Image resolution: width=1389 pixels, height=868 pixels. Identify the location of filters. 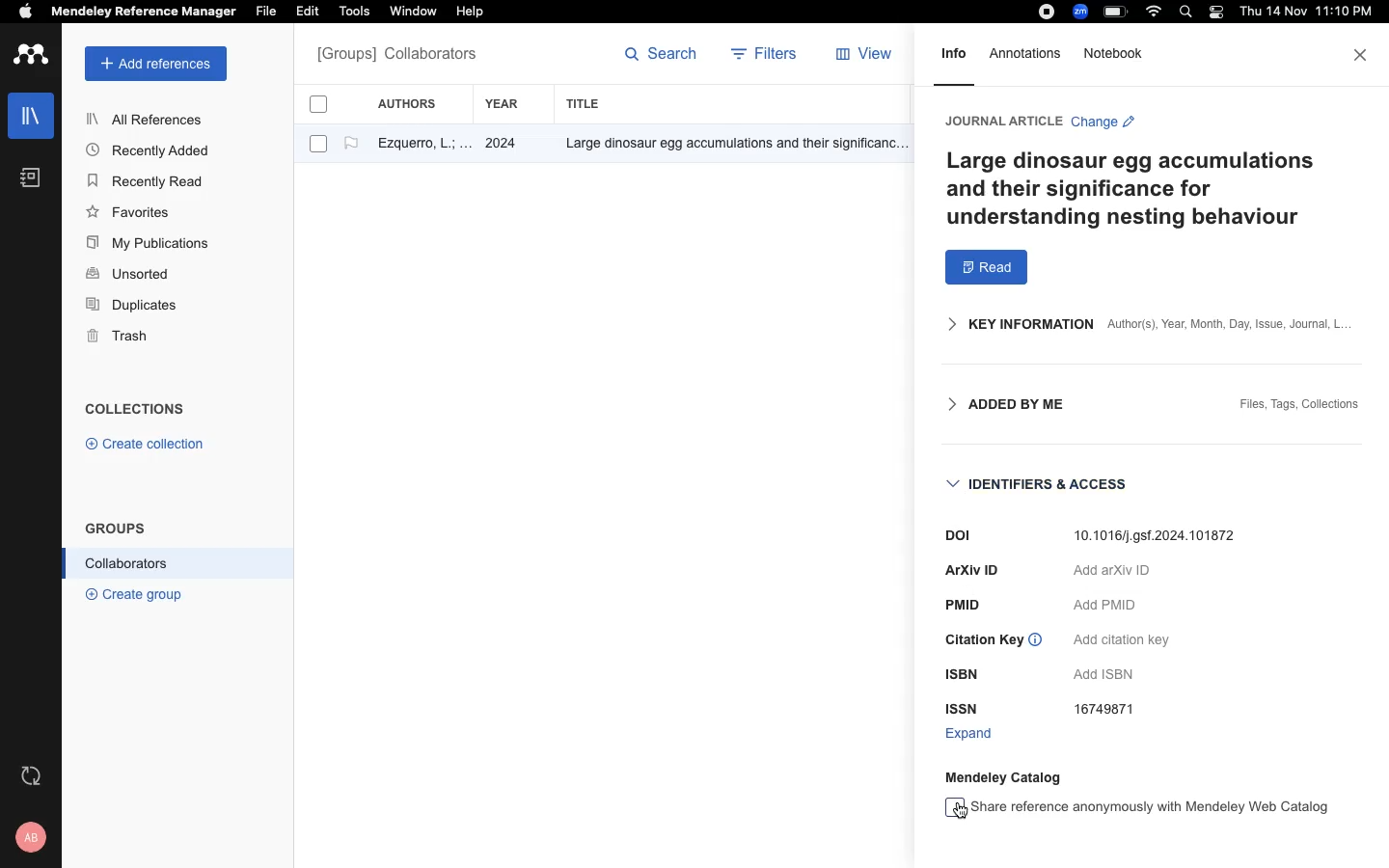
(767, 56).